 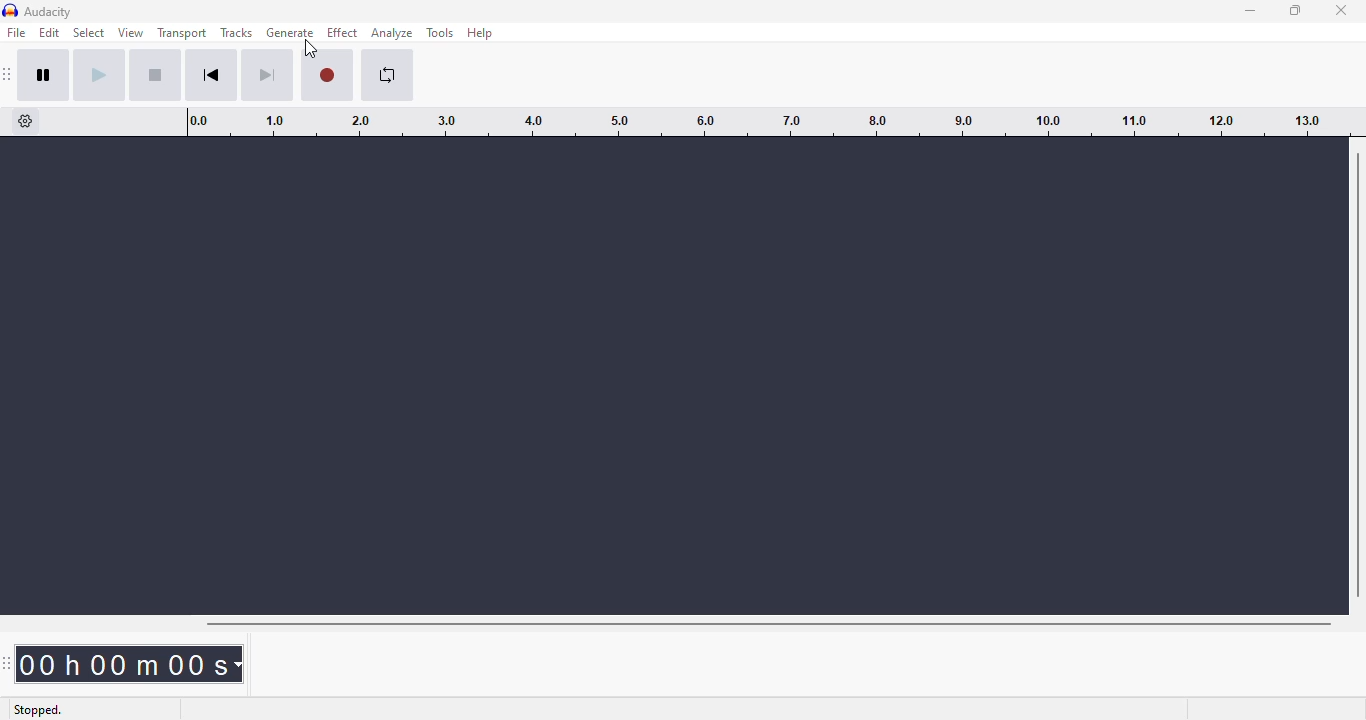 What do you see at coordinates (439, 33) in the screenshot?
I see `tools` at bounding box center [439, 33].